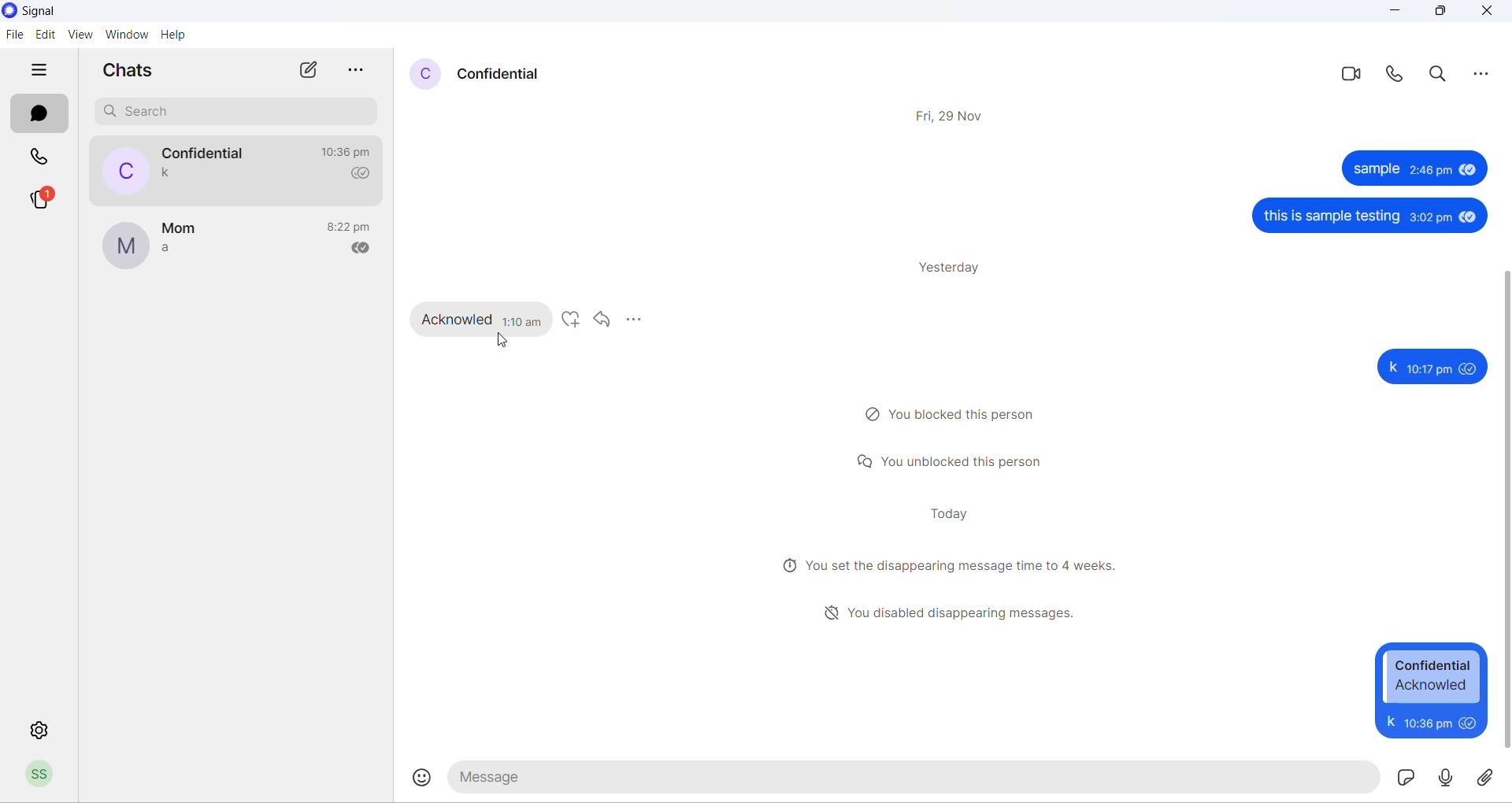 This screenshot has height=803, width=1512. Describe the element at coordinates (1390, 367) in the screenshot. I see `k` at that location.